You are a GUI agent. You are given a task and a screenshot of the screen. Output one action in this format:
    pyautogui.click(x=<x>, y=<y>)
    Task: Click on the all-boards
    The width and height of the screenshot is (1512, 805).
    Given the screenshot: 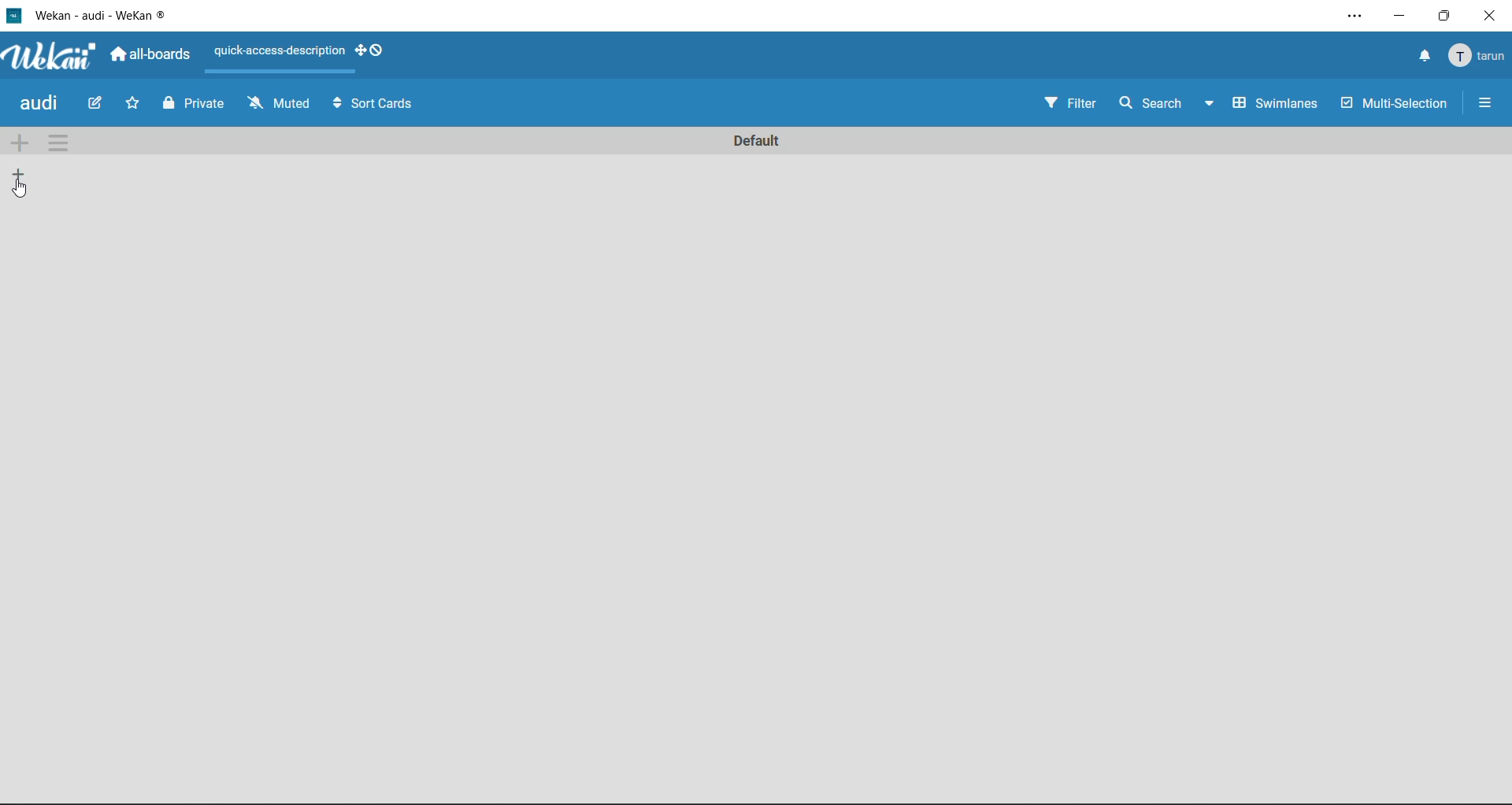 What is the action you would take?
    pyautogui.click(x=150, y=54)
    